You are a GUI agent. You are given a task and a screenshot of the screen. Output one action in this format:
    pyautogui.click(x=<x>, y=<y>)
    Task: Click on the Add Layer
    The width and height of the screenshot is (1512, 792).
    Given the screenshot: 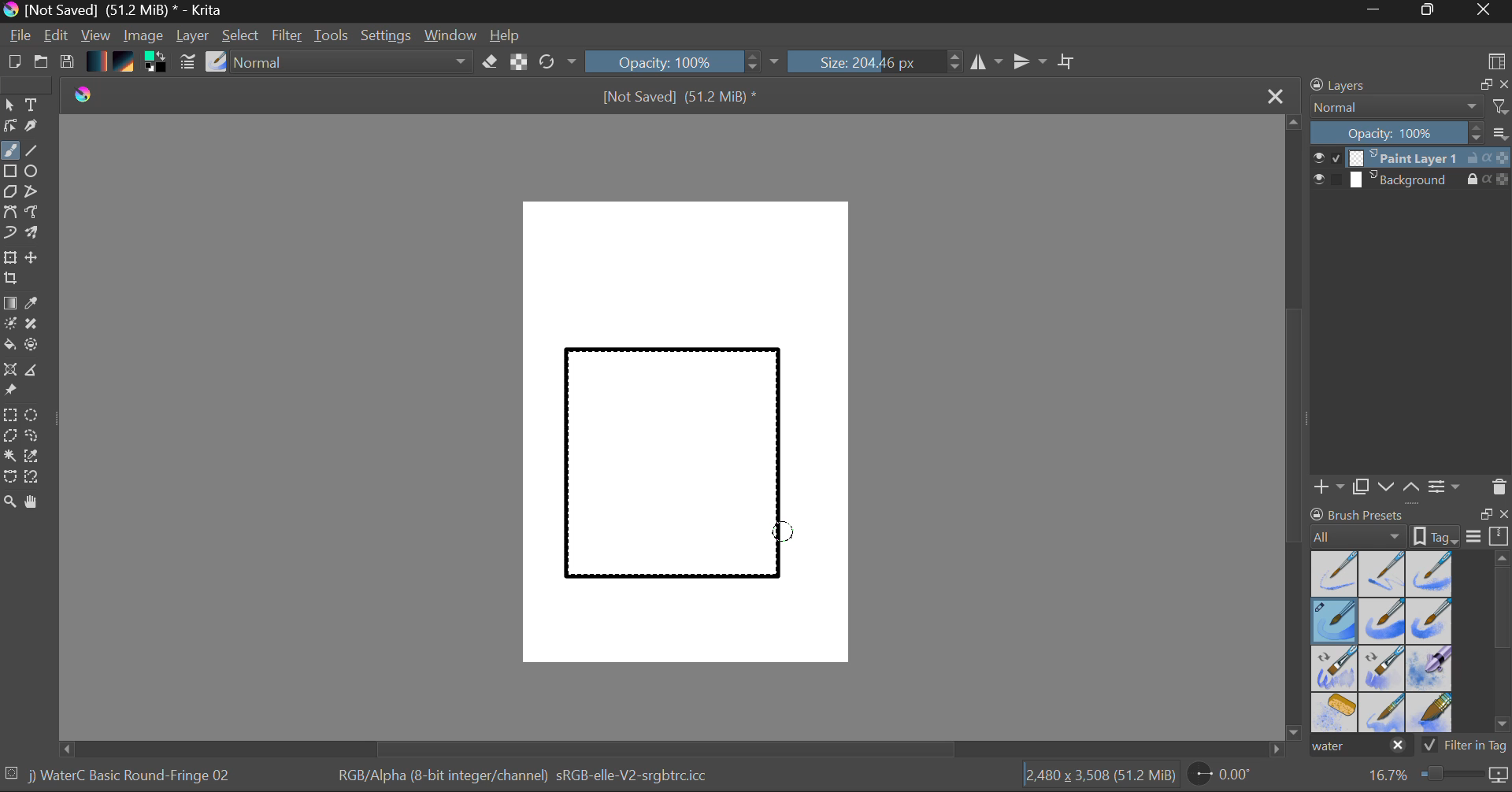 What is the action you would take?
    pyautogui.click(x=1329, y=487)
    